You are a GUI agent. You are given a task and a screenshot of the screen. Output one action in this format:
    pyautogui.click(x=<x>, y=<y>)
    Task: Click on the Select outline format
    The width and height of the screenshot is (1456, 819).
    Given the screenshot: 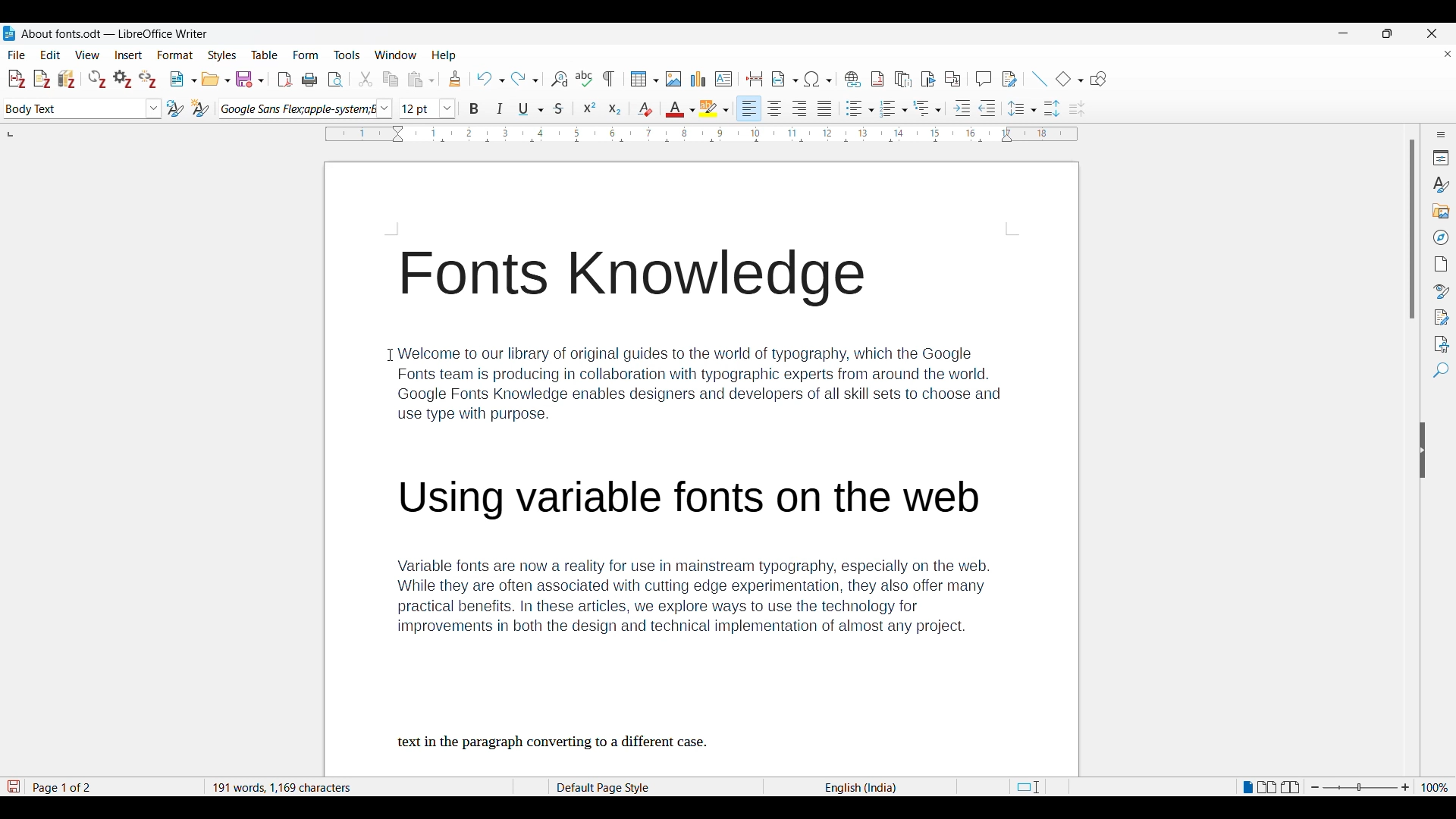 What is the action you would take?
    pyautogui.click(x=927, y=108)
    